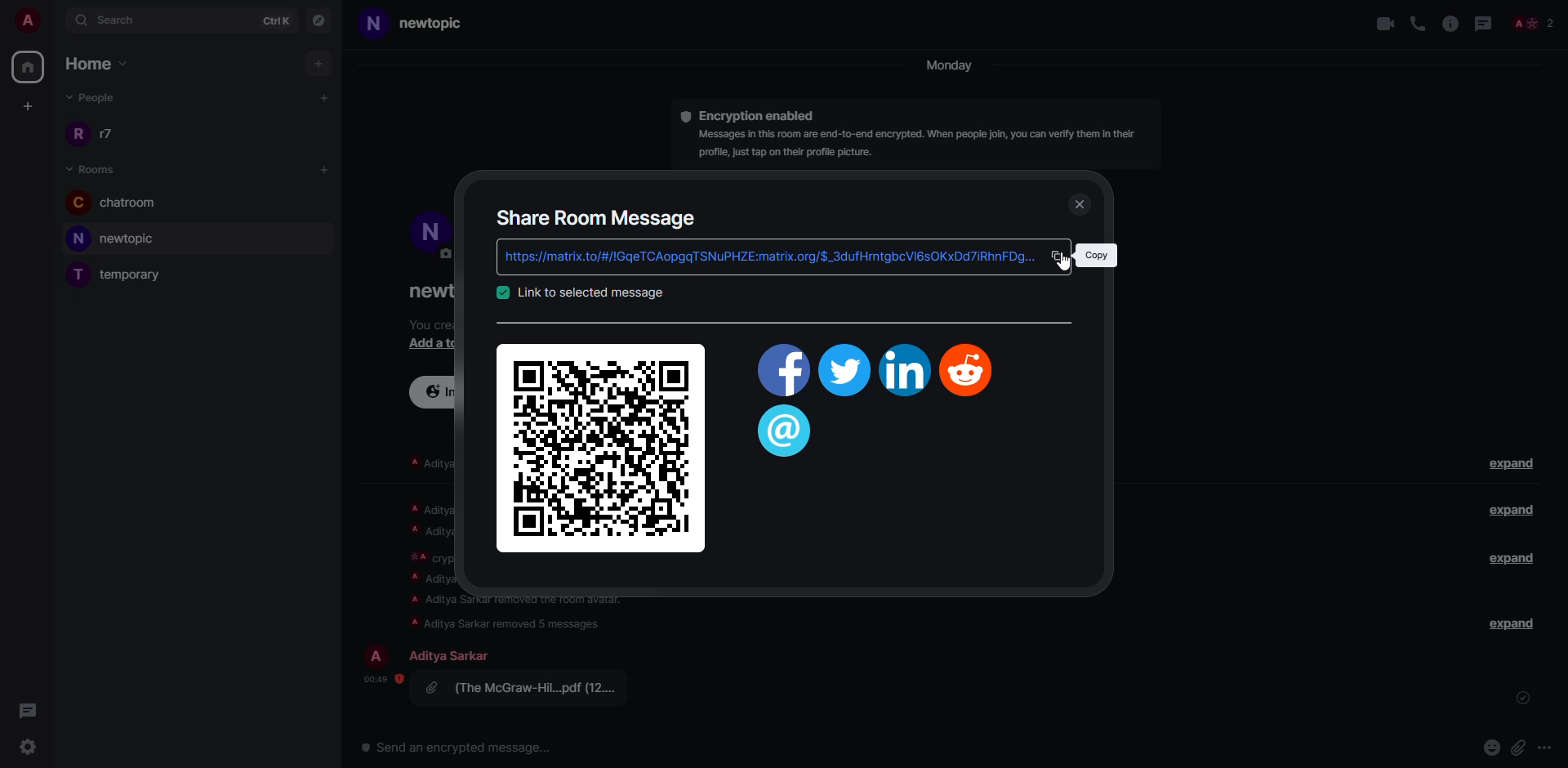 The width and height of the screenshot is (1568, 768). I want to click on click, so click(1061, 255).